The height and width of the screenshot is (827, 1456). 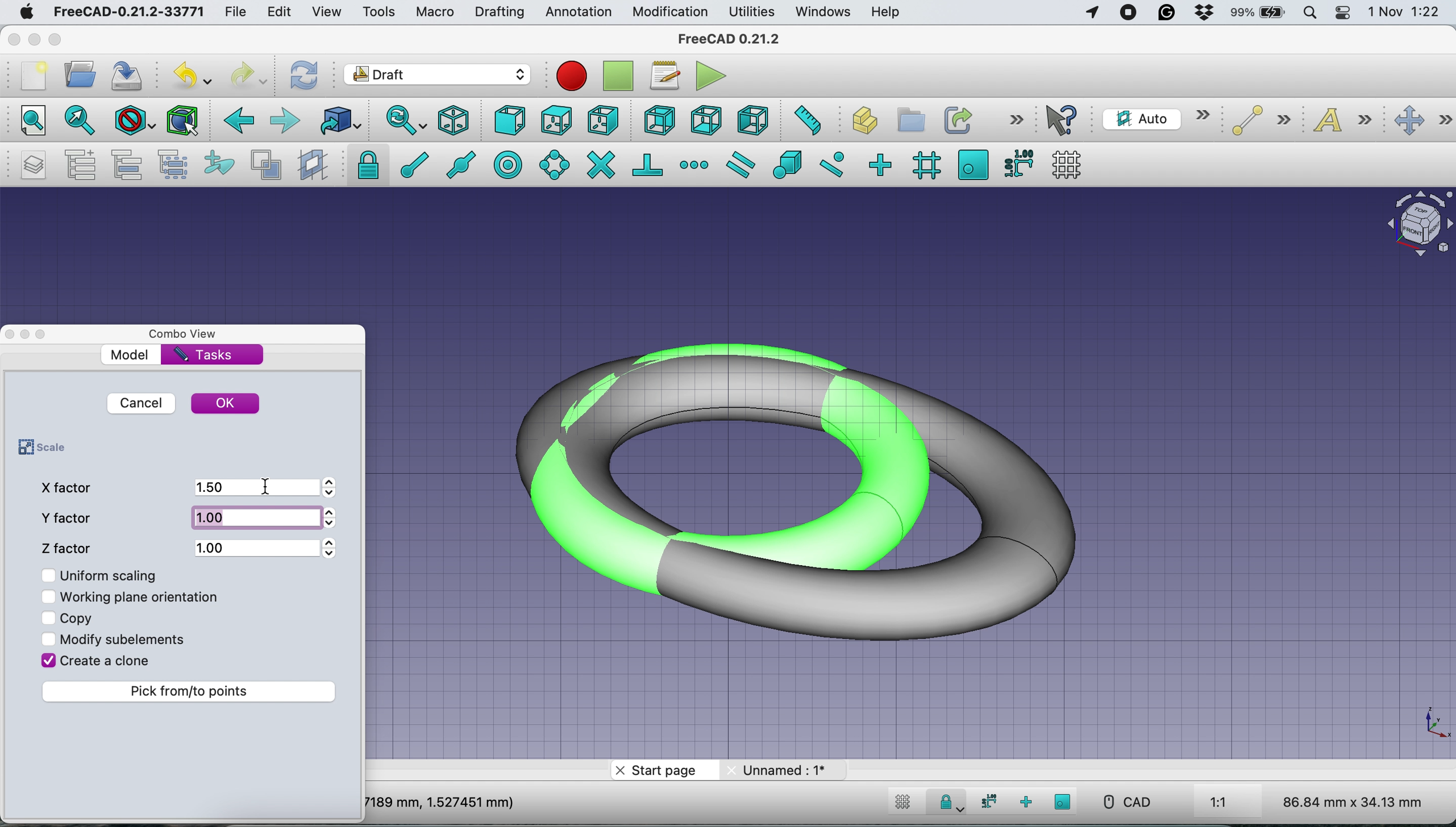 I want to click on bounding box, so click(x=183, y=121).